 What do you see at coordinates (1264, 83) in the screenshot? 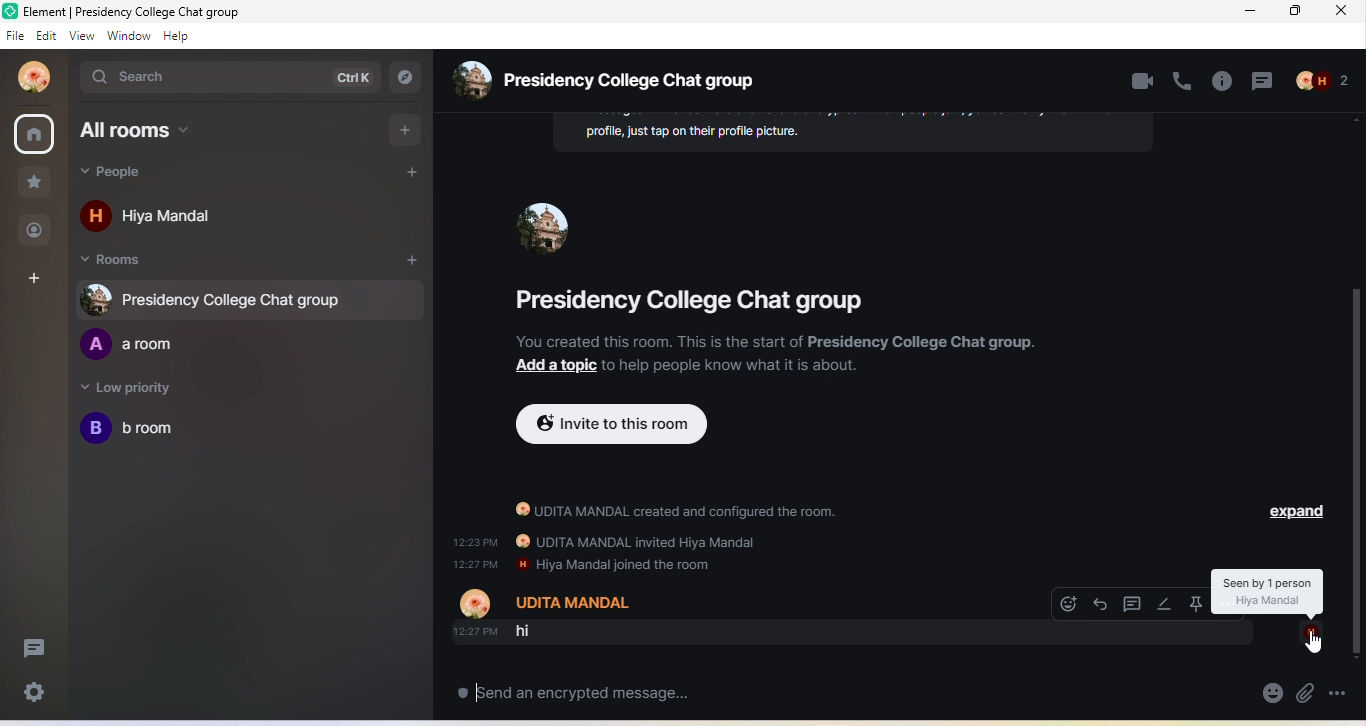
I see `thread` at bounding box center [1264, 83].